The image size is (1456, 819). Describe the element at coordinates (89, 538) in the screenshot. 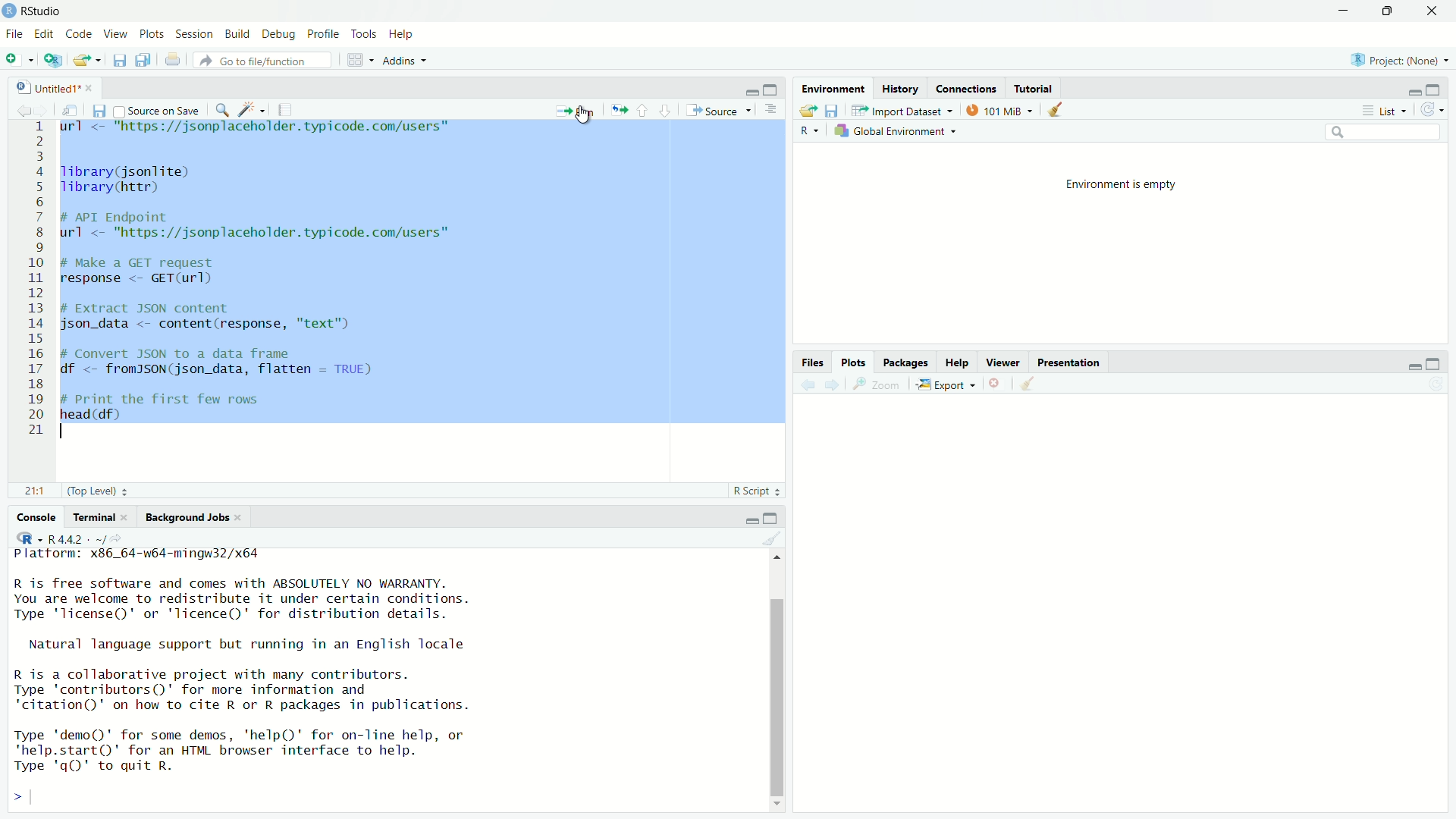

I see `R4.4.2 - ~/` at that location.